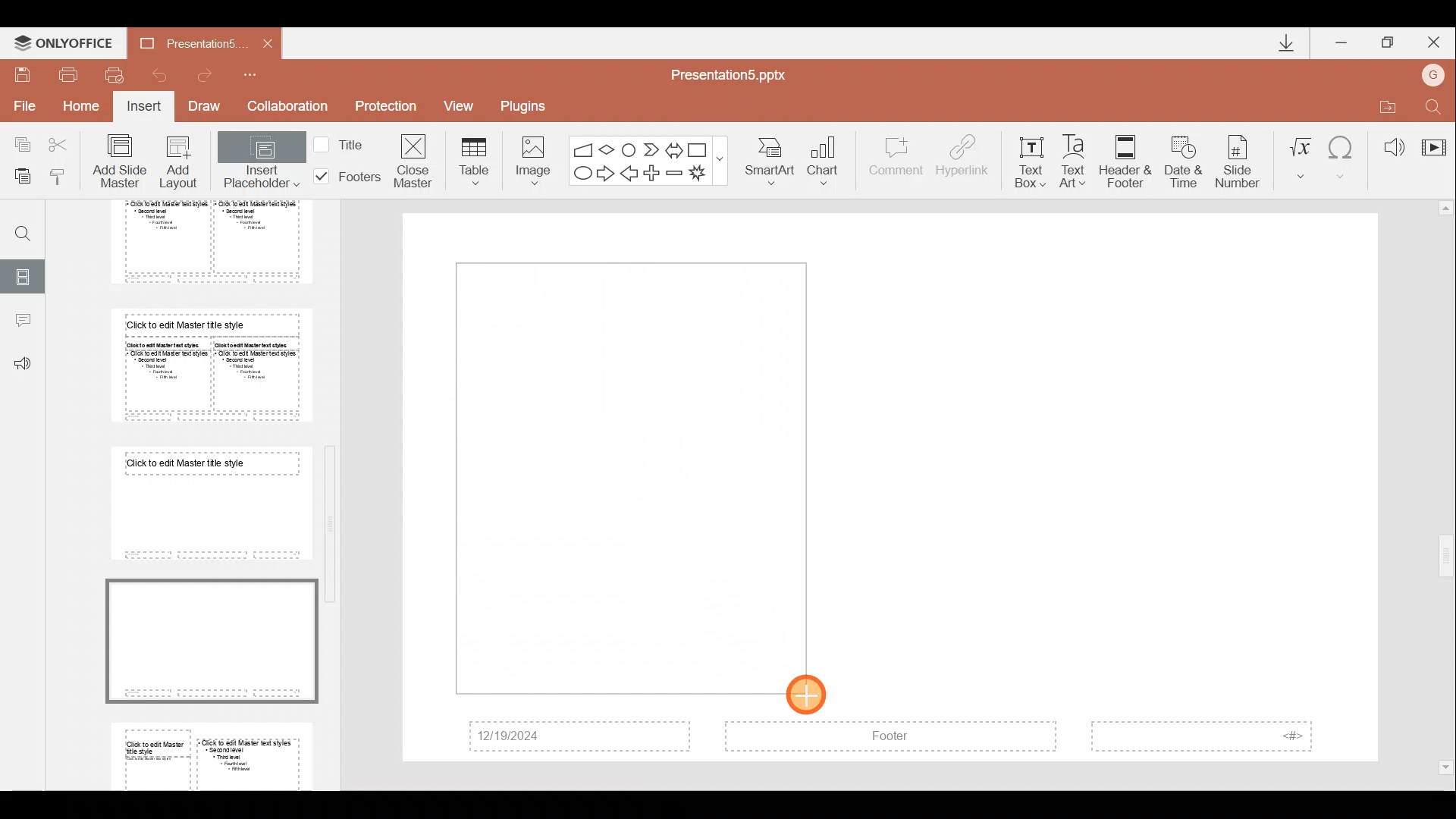 This screenshot has height=819, width=1456. I want to click on Text Art, so click(1077, 157).